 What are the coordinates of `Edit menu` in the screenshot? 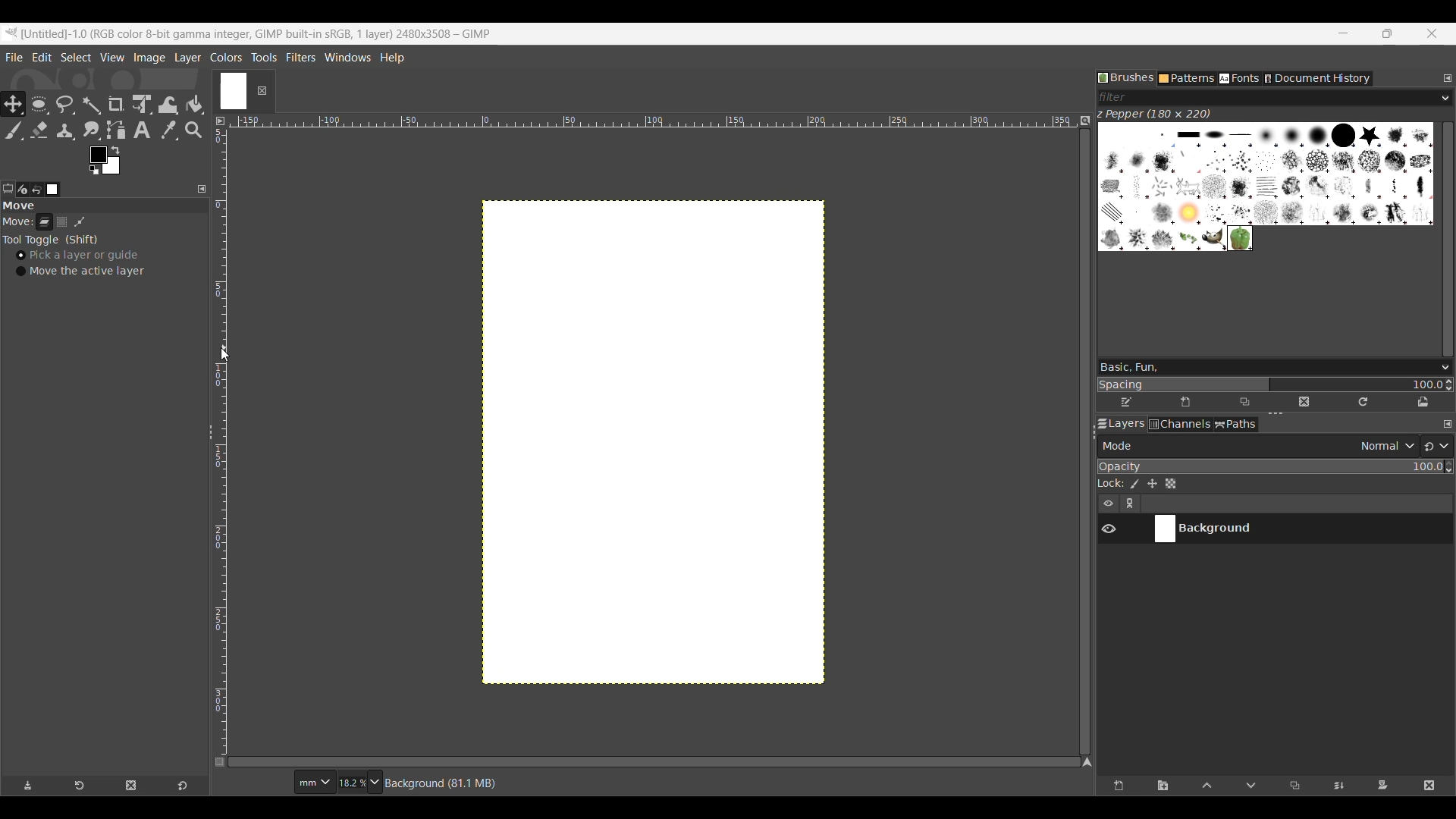 It's located at (42, 57).